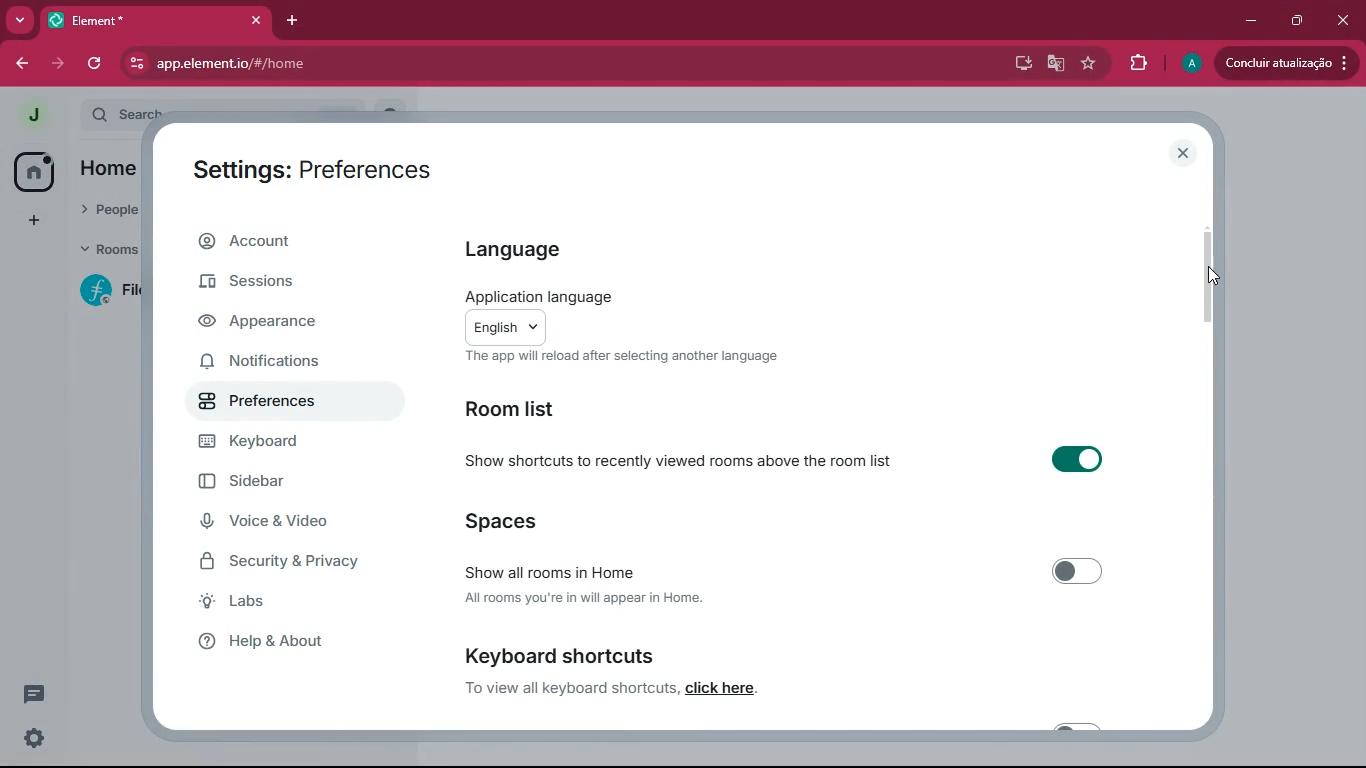  What do you see at coordinates (286, 238) in the screenshot?
I see `account` at bounding box center [286, 238].